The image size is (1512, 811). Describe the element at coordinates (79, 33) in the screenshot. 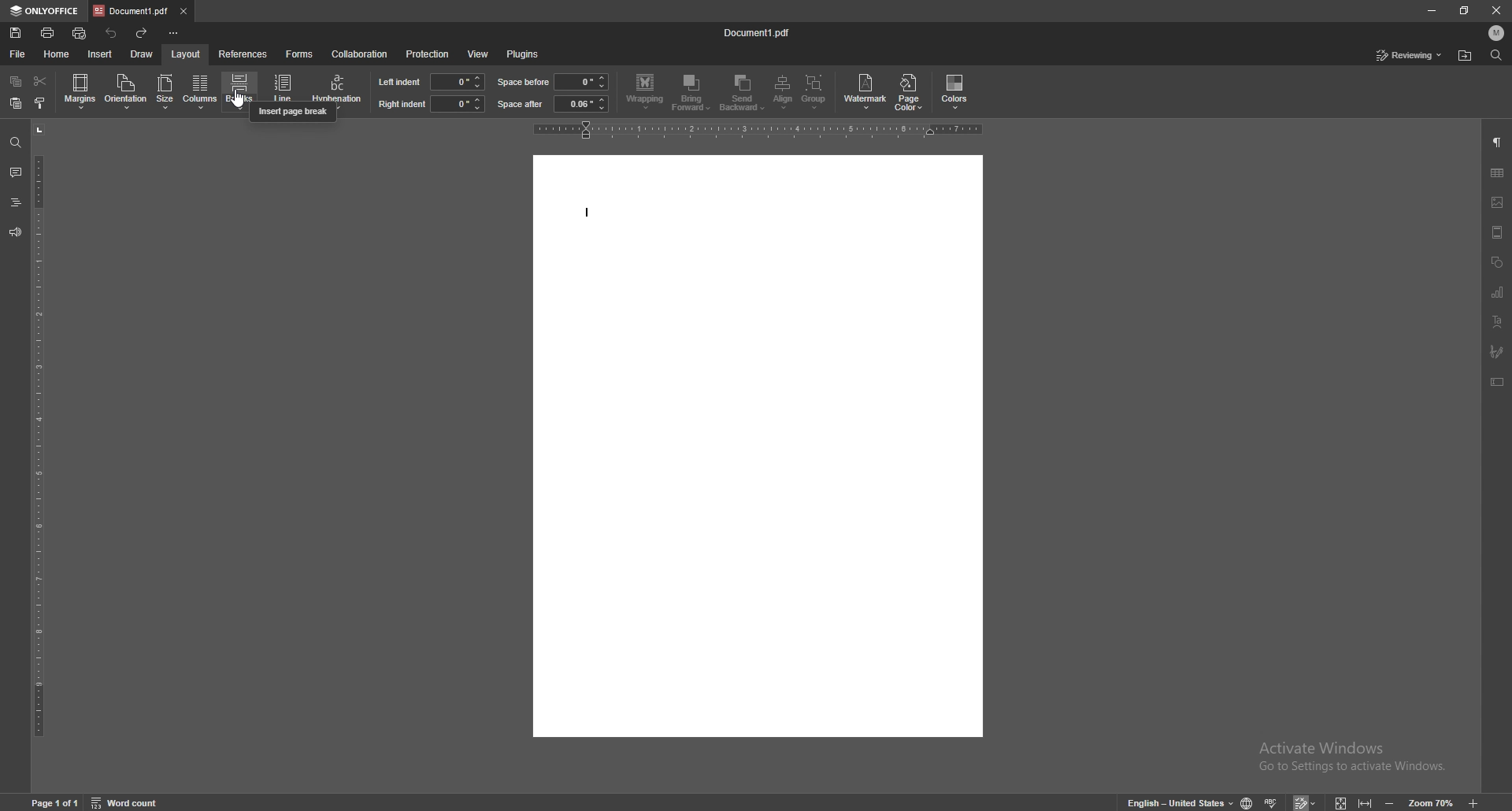

I see `quick print` at that location.